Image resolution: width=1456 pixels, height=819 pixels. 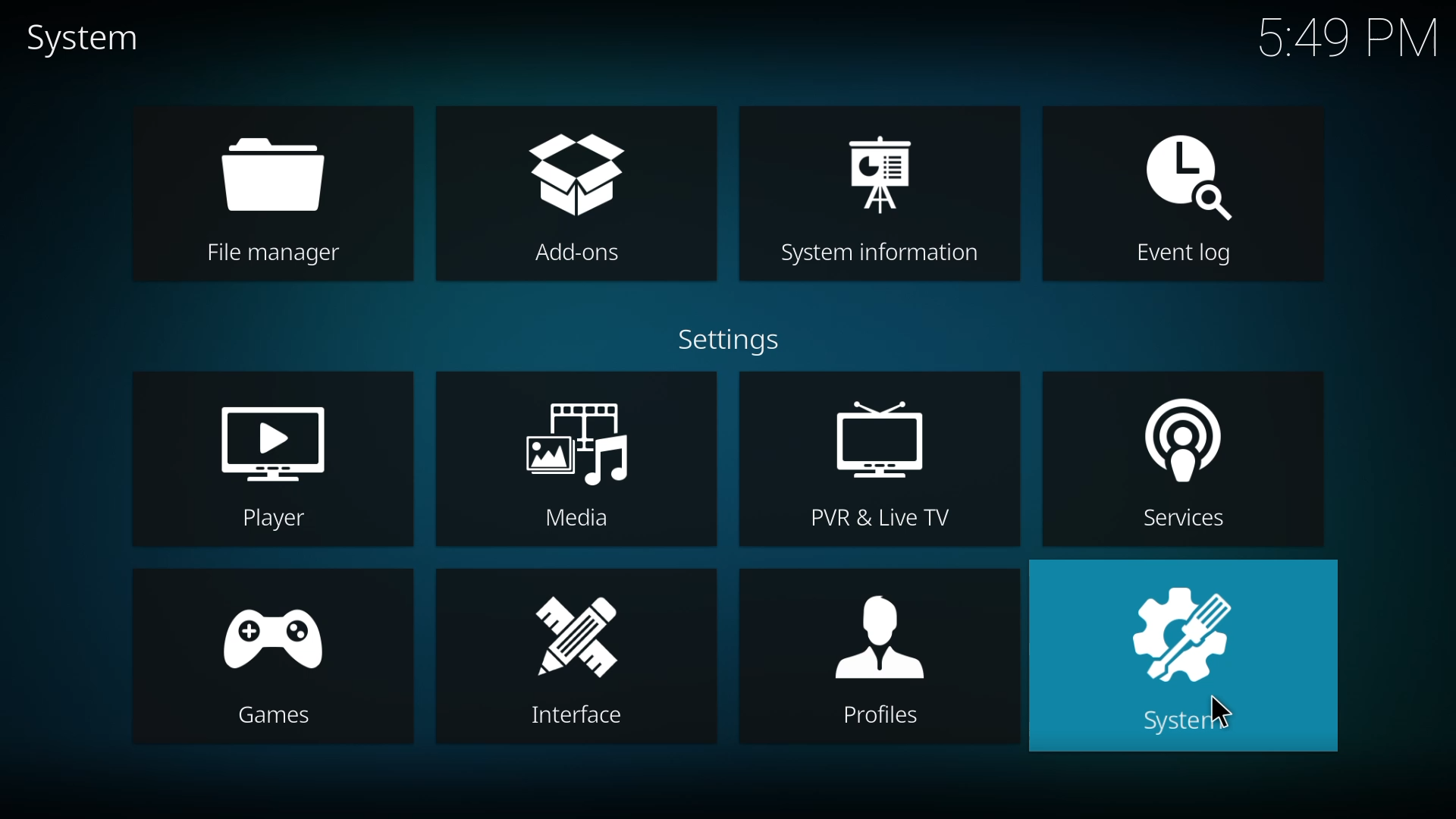 What do you see at coordinates (1178, 457) in the screenshot?
I see `services` at bounding box center [1178, 457].